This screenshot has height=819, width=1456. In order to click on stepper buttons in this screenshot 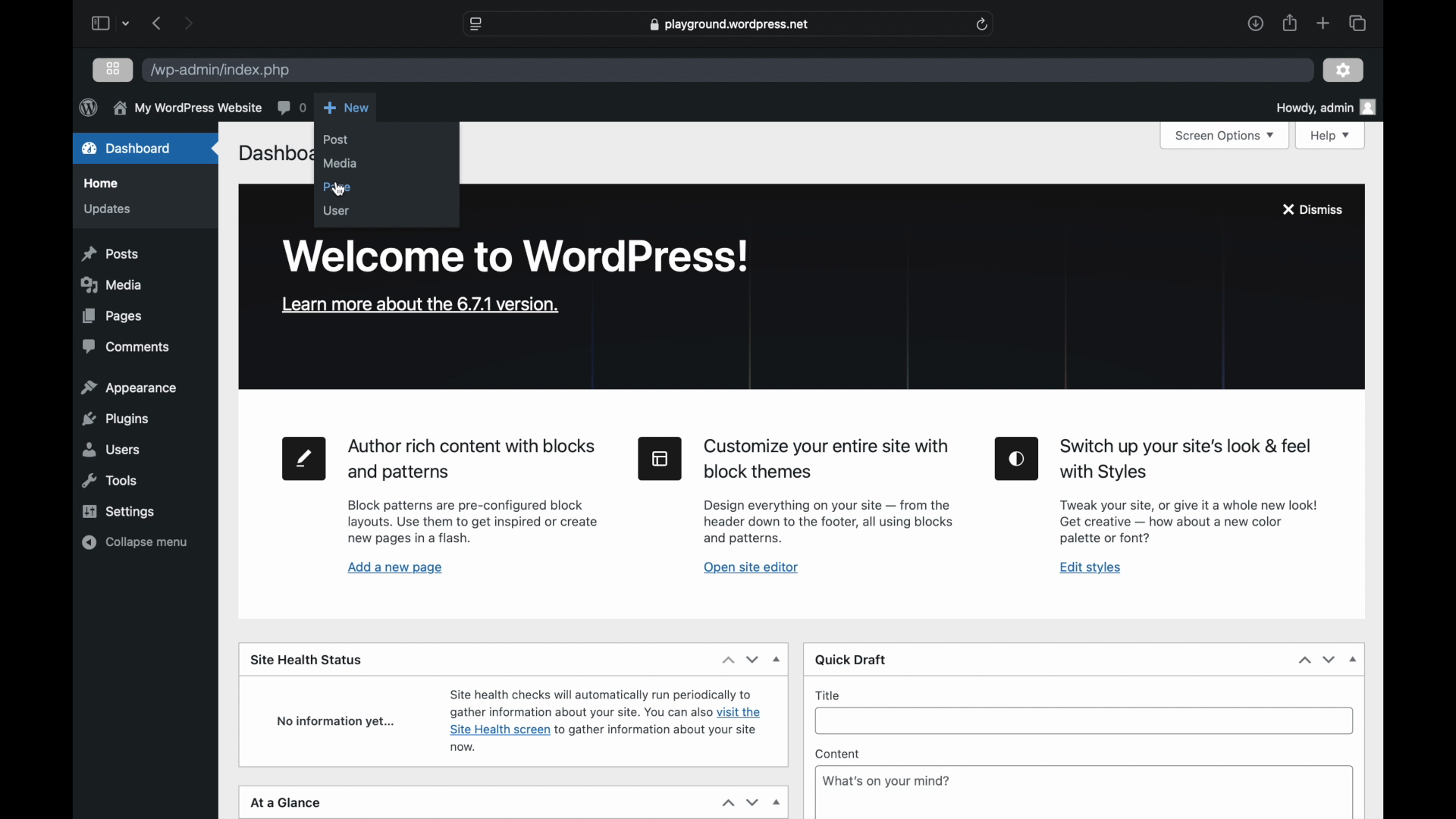, I will do `click(1317, 660)`.